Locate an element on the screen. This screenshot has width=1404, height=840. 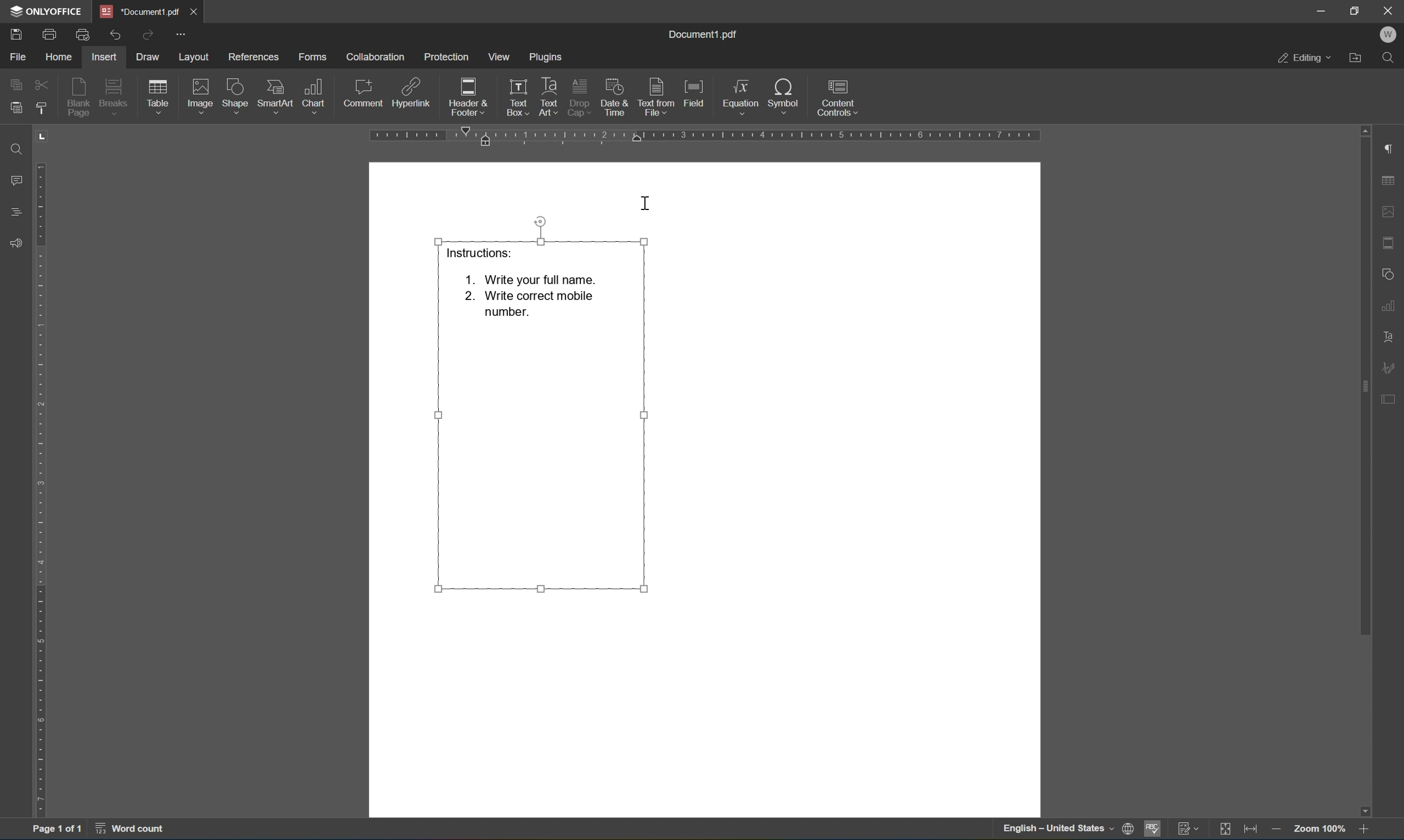
spell checking is located at coordinates (1155, 828).